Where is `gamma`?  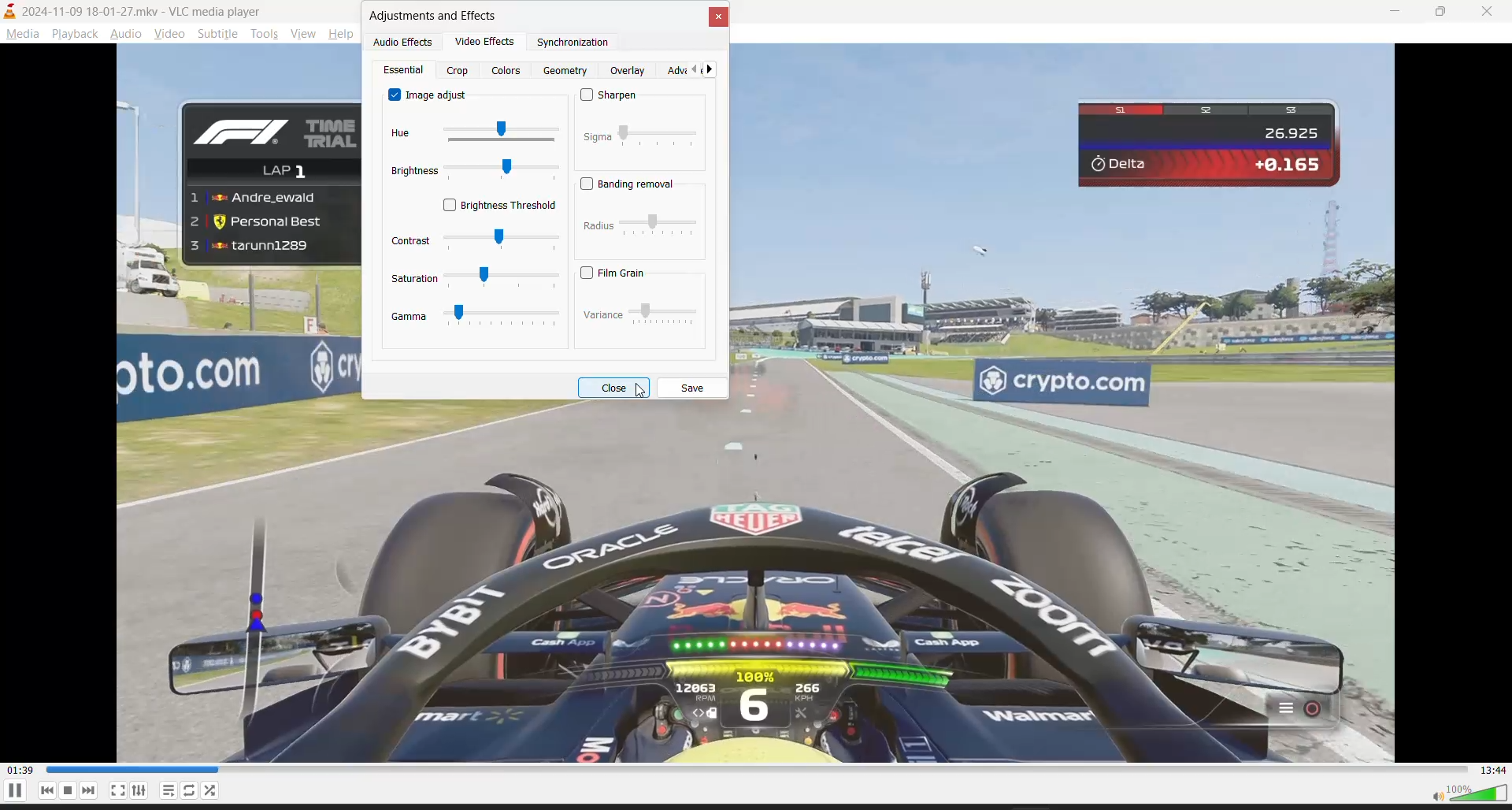 gamma is located at coordinates (476, 321).